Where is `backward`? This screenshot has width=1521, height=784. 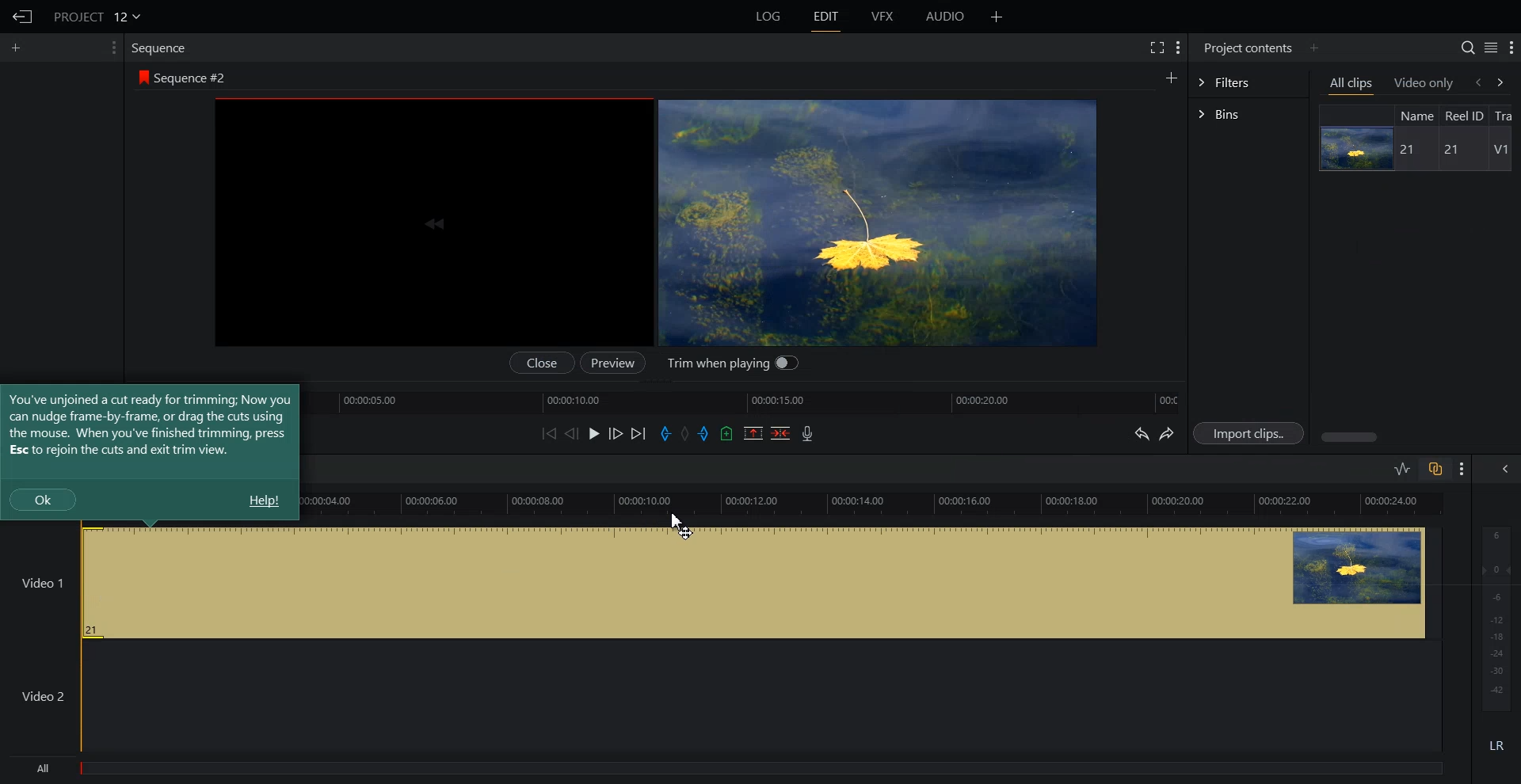 backward is located at coordinates (1477, 82).